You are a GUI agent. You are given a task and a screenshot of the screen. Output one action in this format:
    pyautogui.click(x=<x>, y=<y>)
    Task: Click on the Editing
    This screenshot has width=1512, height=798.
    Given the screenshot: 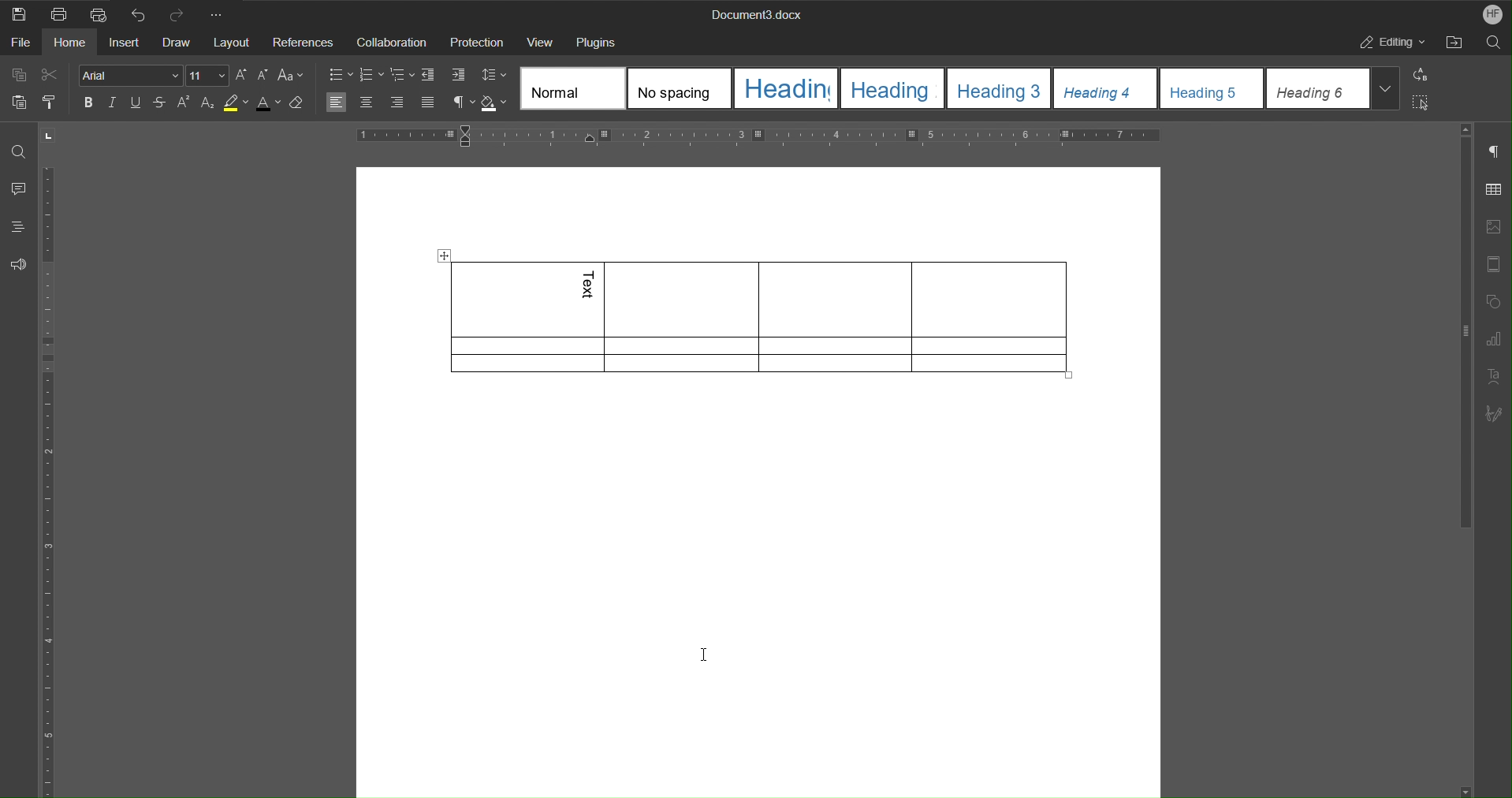 What is the action you would take?
    pyautogui.click(x=1389, y=42)
    